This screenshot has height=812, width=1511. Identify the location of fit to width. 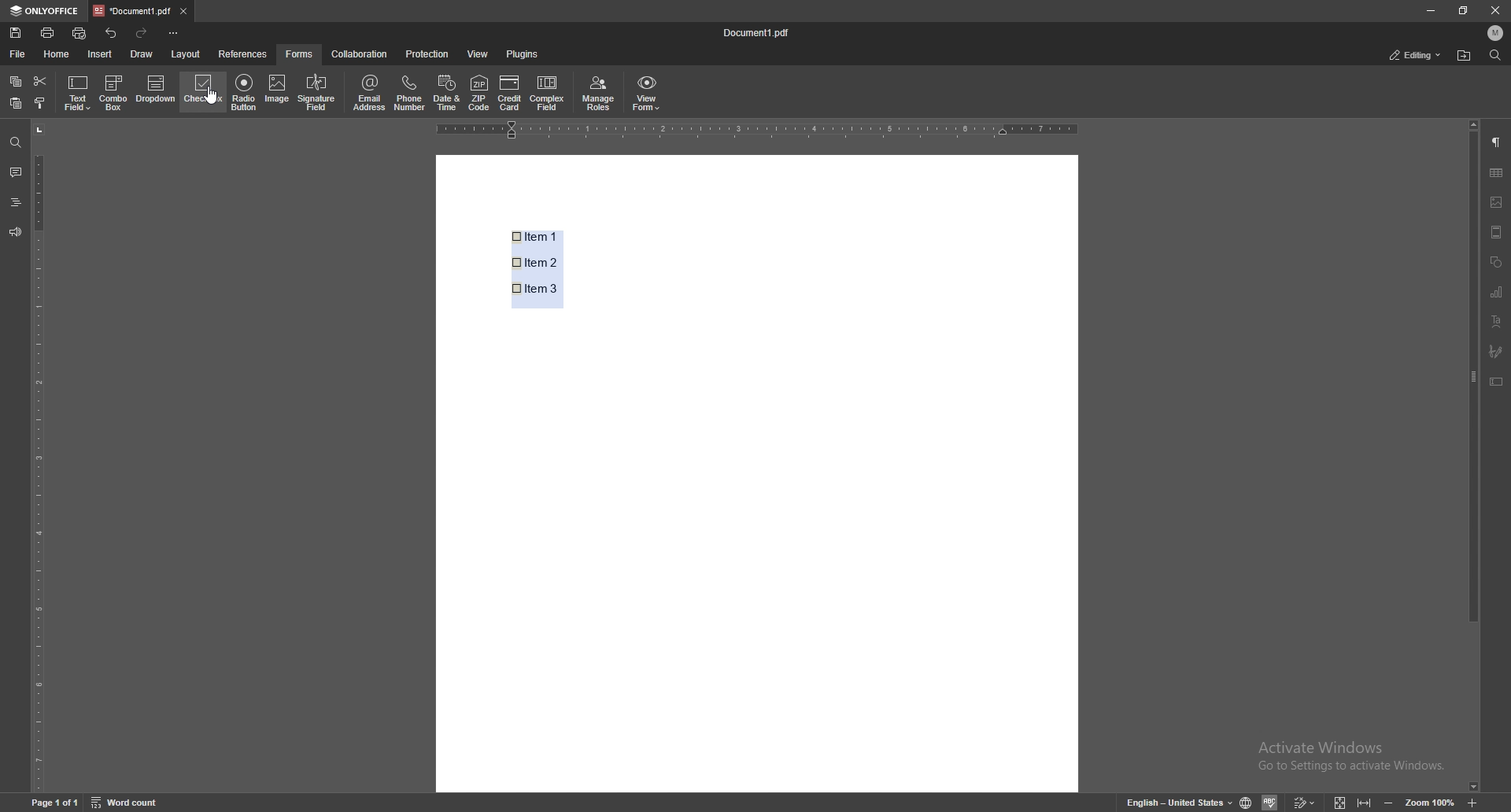
(1362, 800).